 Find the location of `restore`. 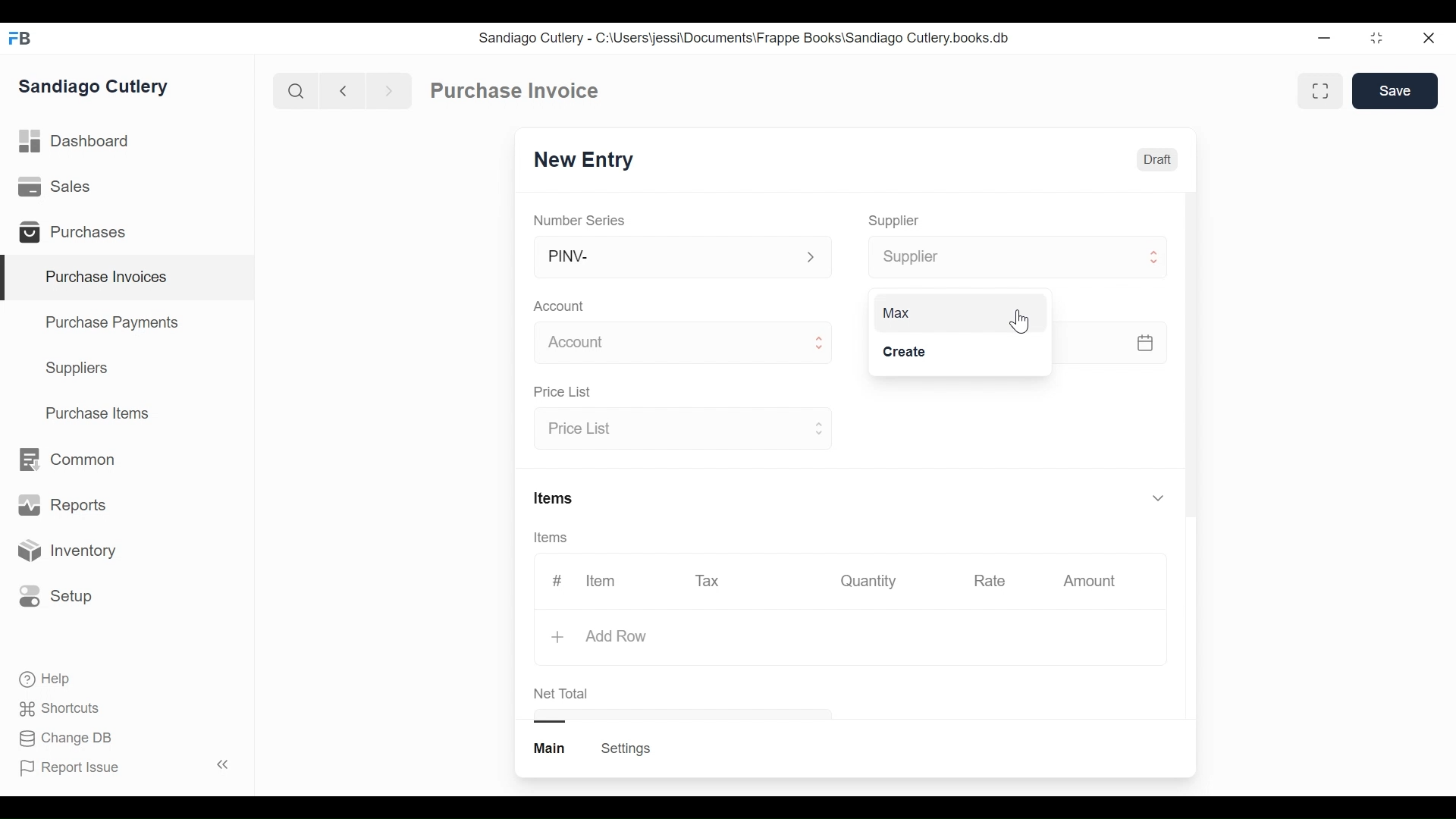

restore is located at coordinates (1375, 39).